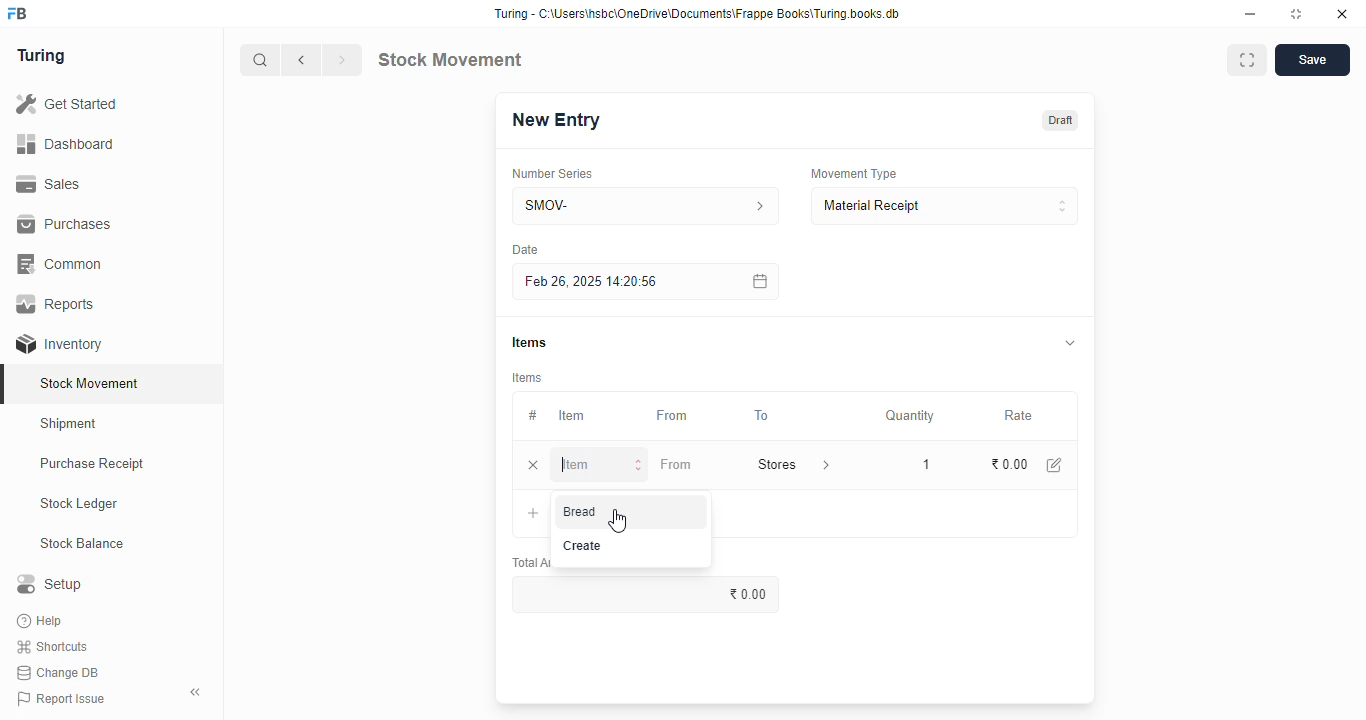 The image size is (1366, 720). I want to click on turing, so click(42, 56).